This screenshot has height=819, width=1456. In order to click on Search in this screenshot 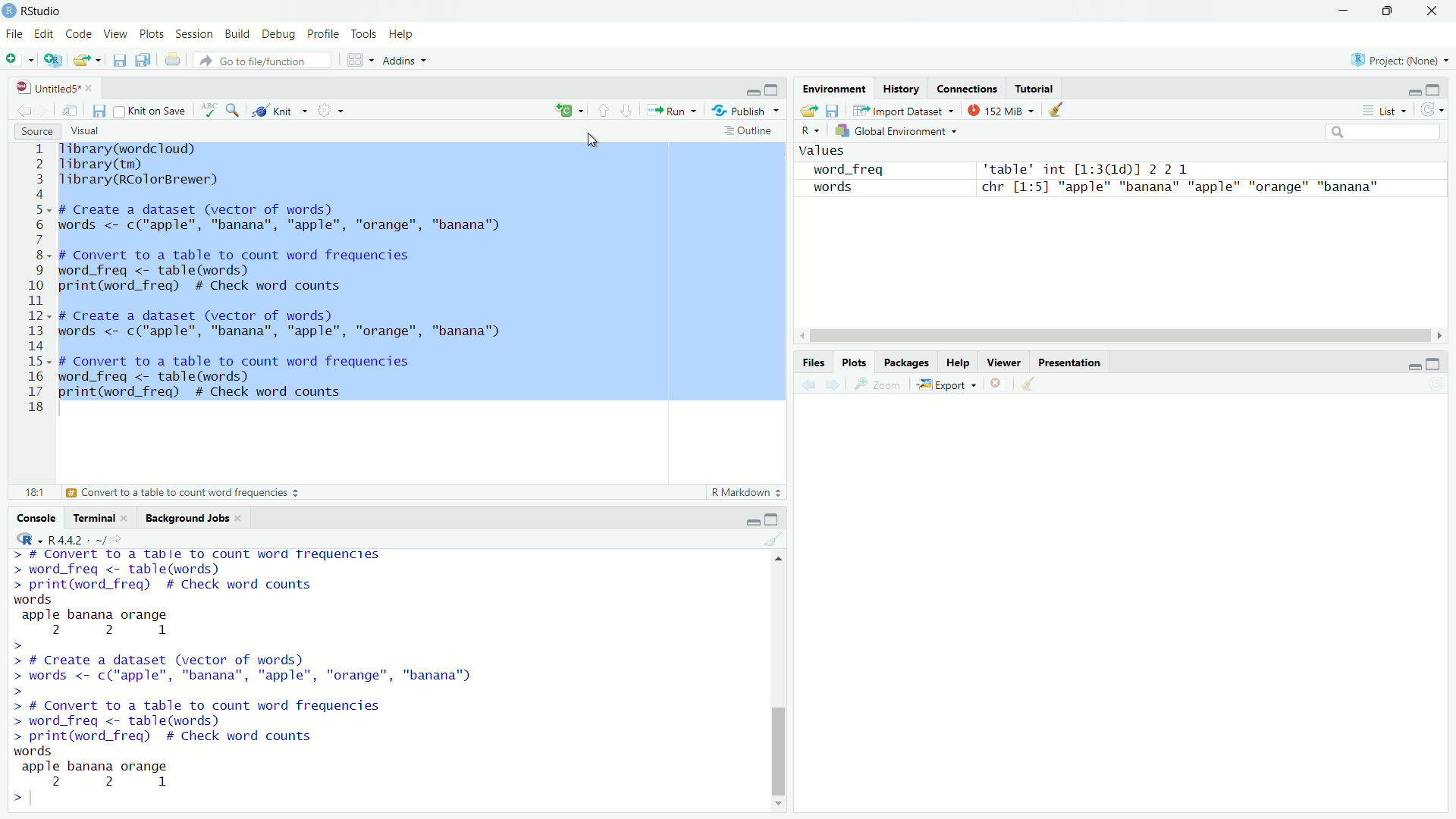, I will do `click(1380, 133)`.